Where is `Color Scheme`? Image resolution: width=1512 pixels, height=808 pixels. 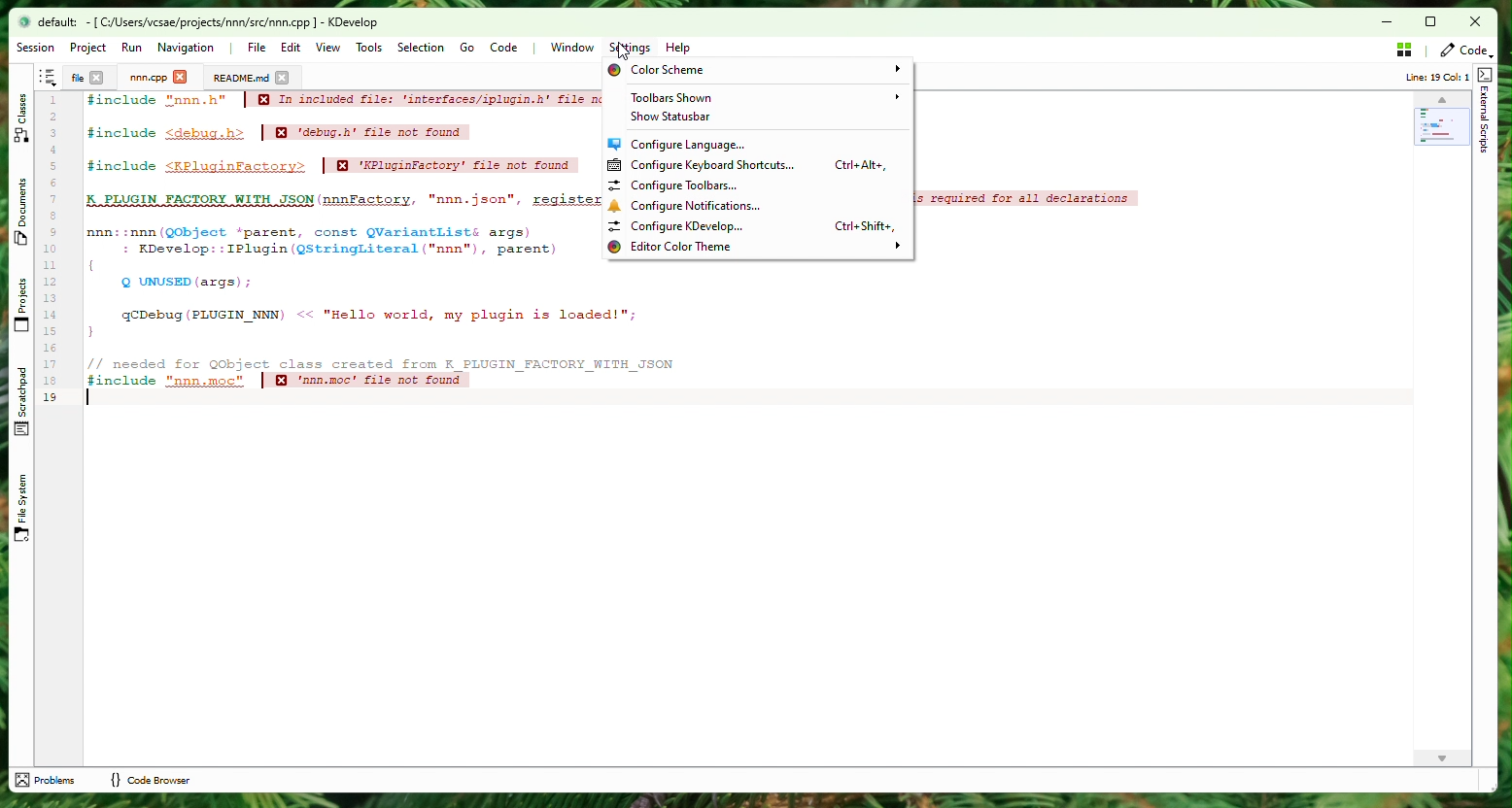
Color Scheme is located at coordinates (755, 70).